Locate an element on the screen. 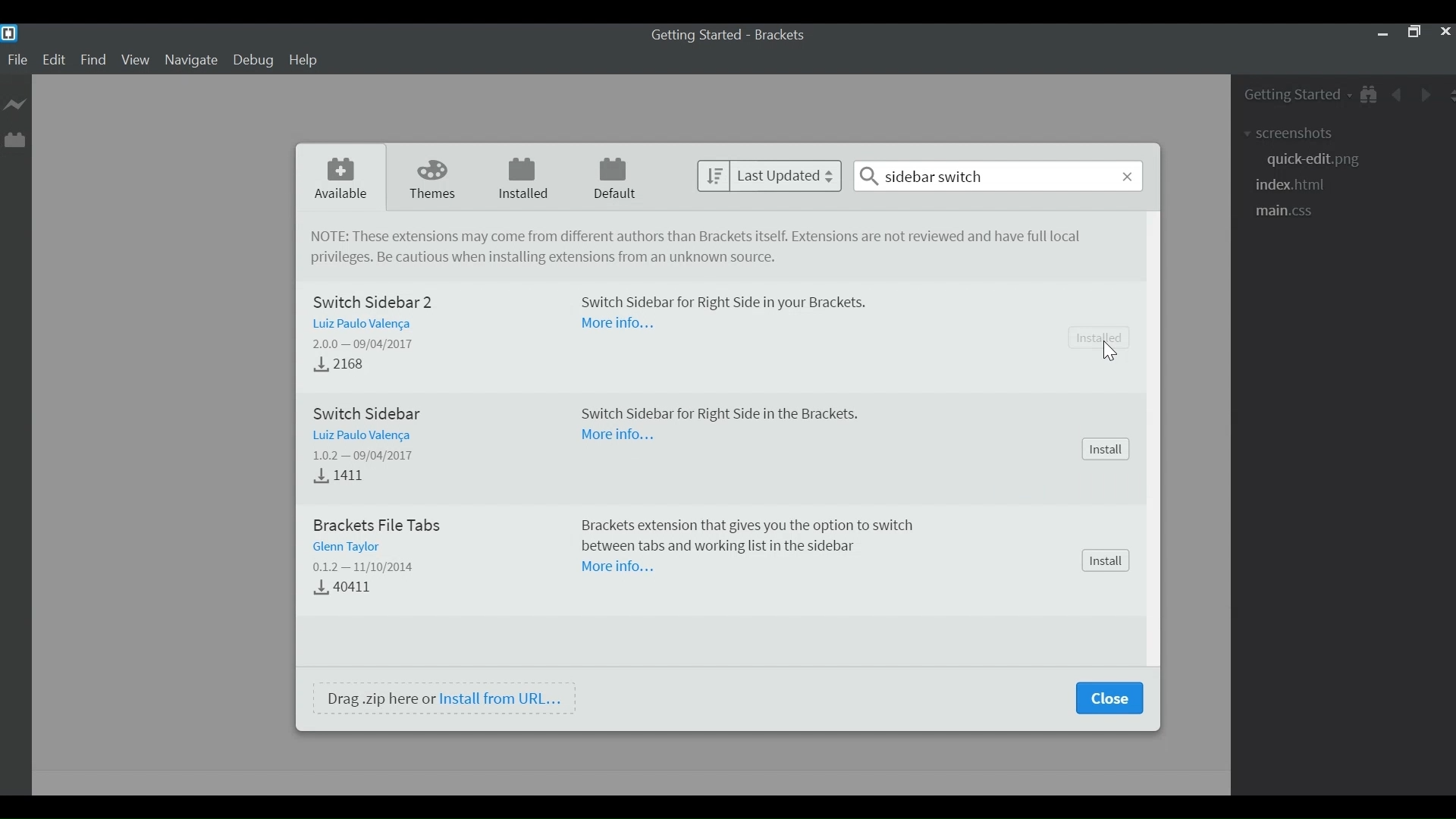 The image size is (1456, 819). extensions is located at coordinates (1302, 131).